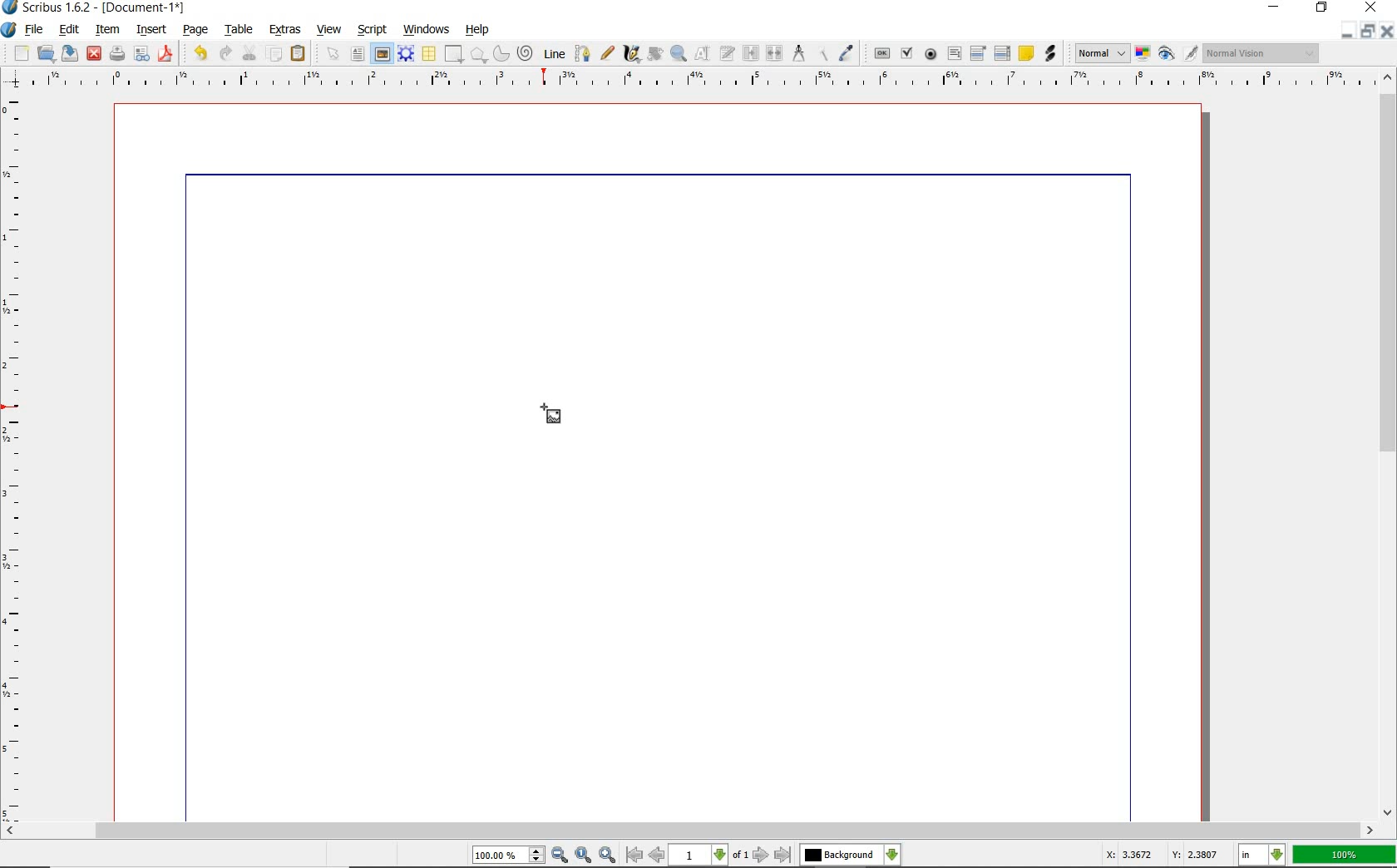  Describe the element at coordinates (1345, 854) in the screenshot. I see `zoom factor 100%` at that location.